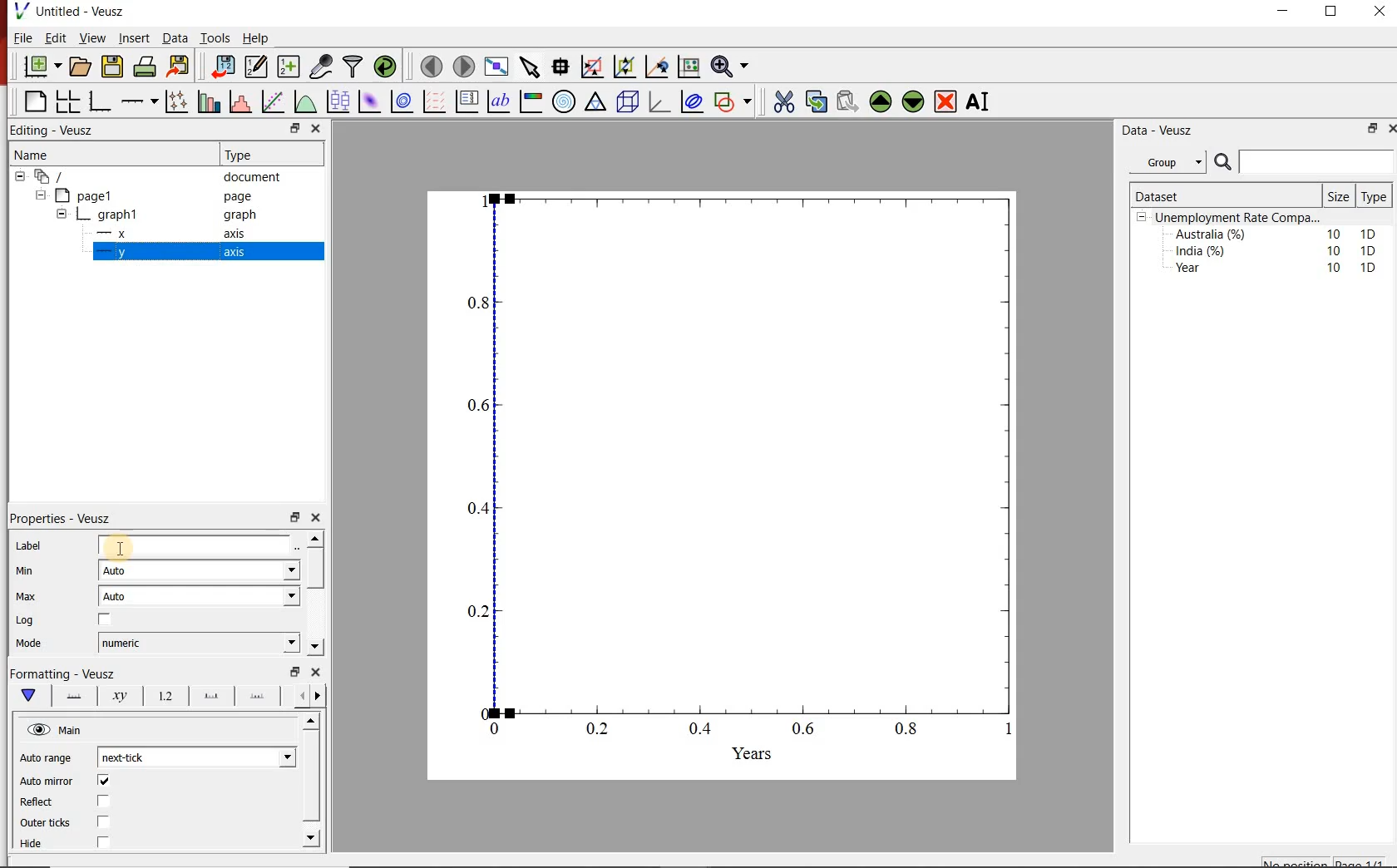  What do you see at coordinates (305, 101) in the screenshot?
I see `plot a function` at bounding box center [305, 101].